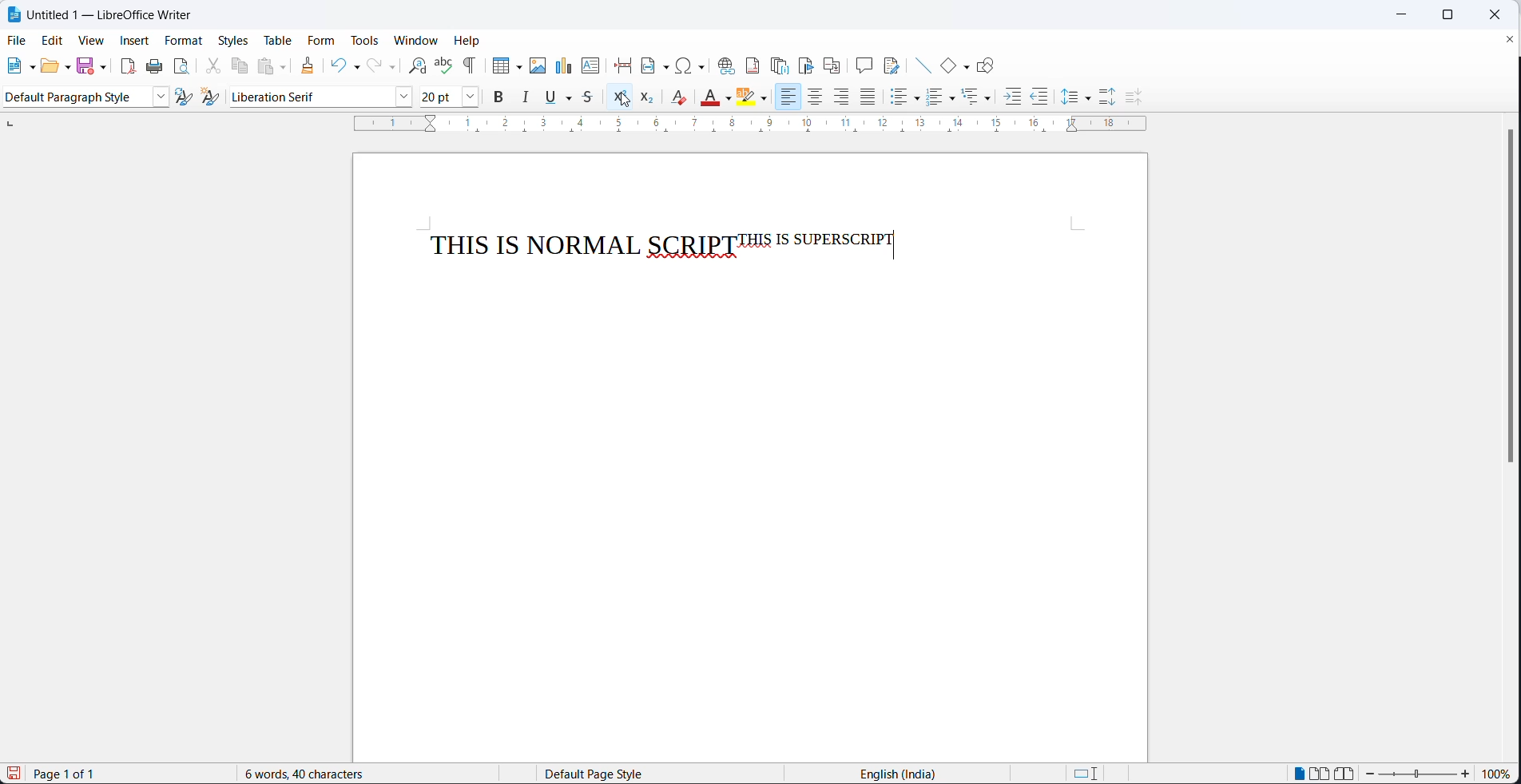 The height and width of the screenshot is (784, 1521). Describe the element at coordinates (919, 62) in the screenshot. I see `insert line` at that location.